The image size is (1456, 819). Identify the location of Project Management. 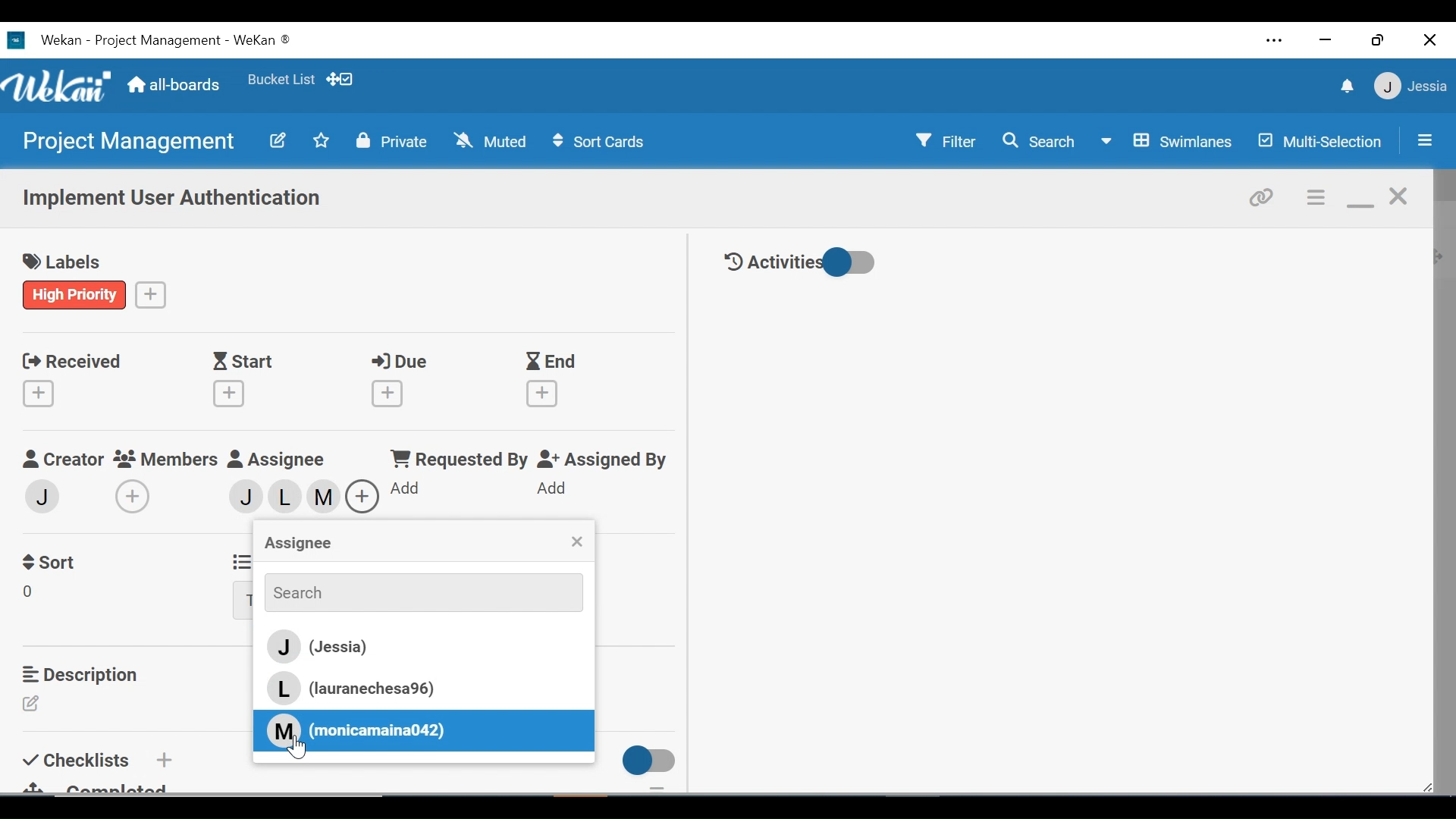
(126, 142).